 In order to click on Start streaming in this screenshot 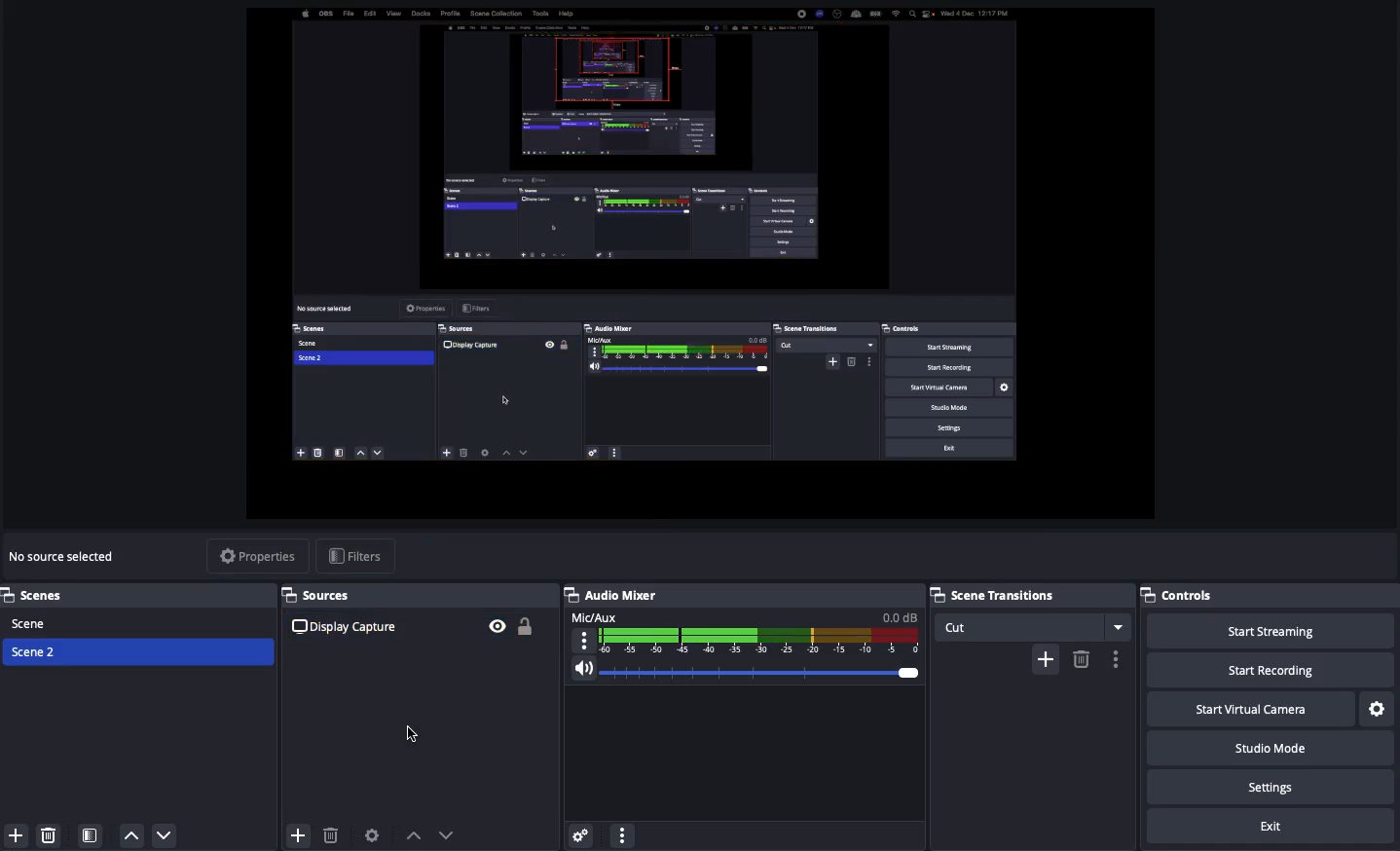, I will do `click(1271, 631)`.